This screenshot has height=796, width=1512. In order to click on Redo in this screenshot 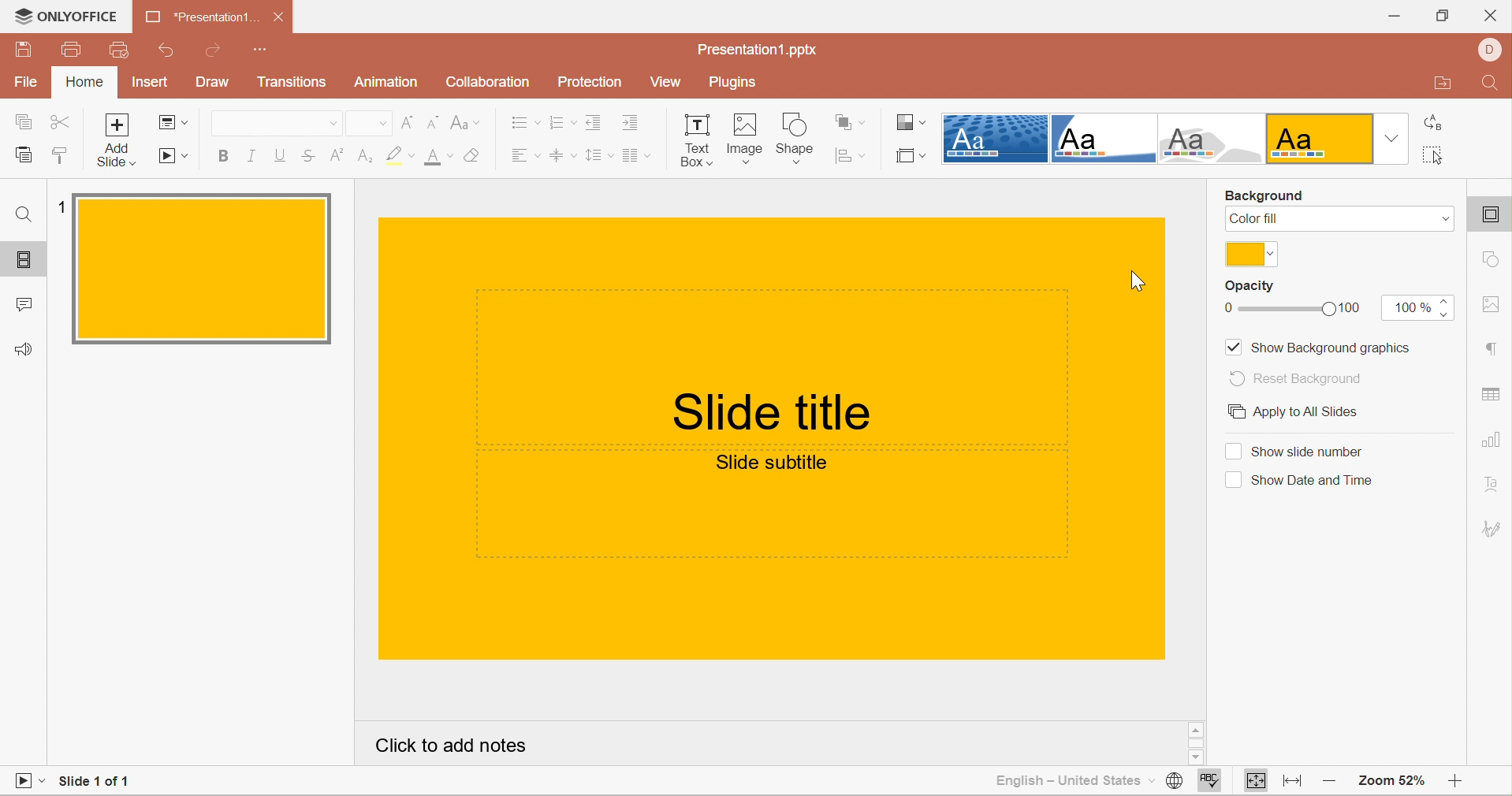, I will do `click(216, 51)`.